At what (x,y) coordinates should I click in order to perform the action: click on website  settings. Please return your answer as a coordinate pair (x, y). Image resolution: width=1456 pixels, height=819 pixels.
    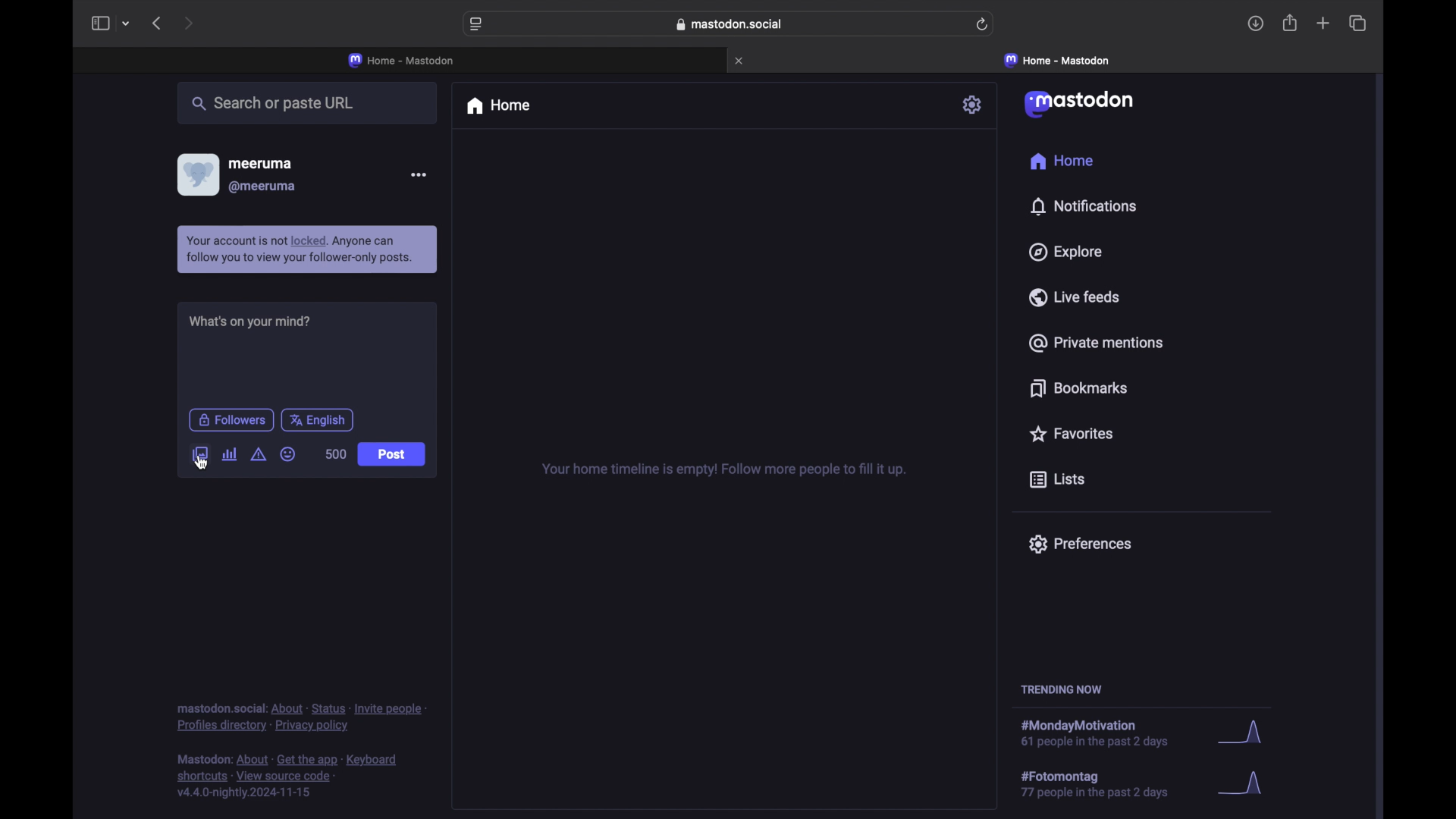
    Looking at the image, I should click on (477, 25).